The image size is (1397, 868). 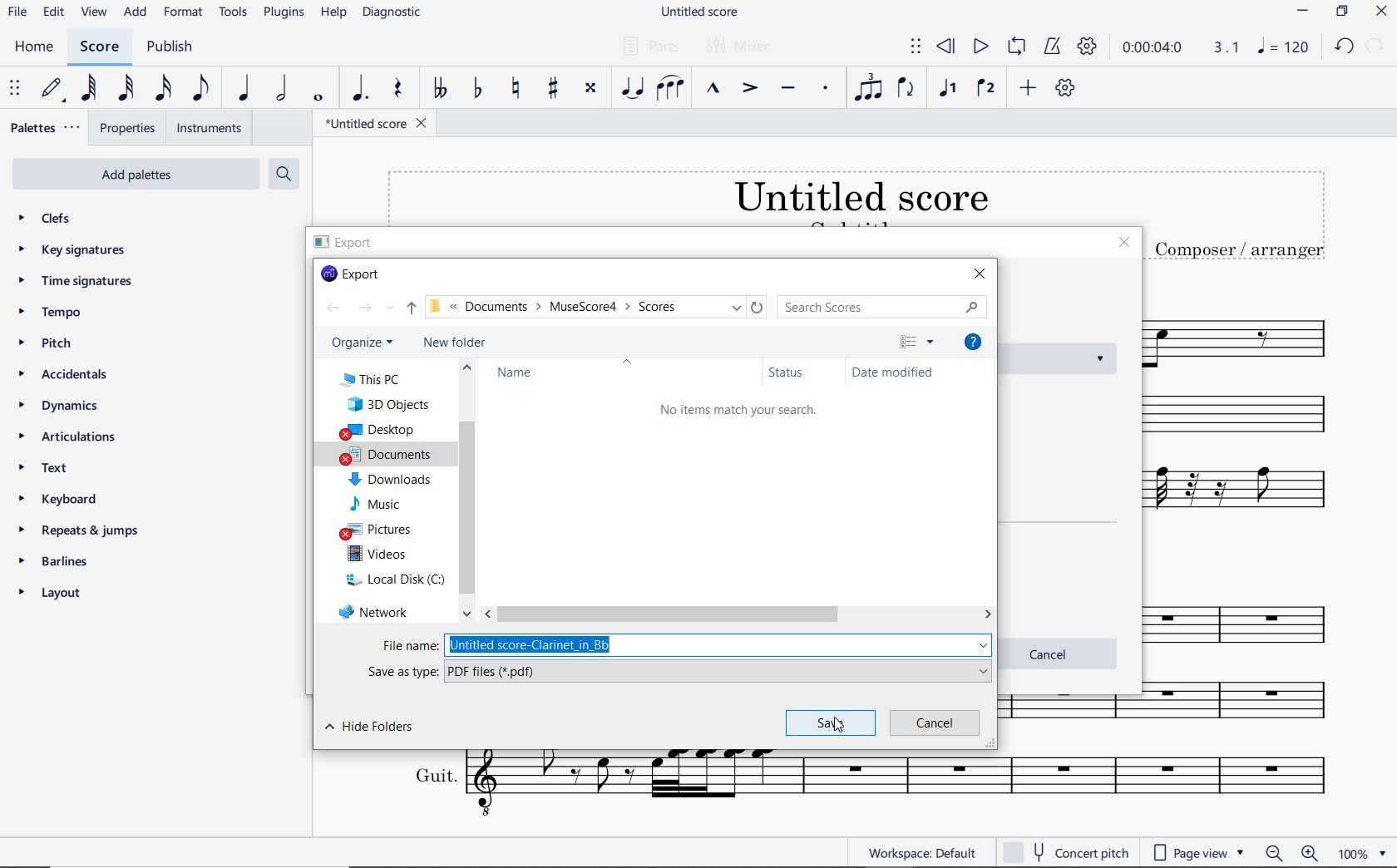 I want to click on PUBLISH, so click(x=175, y=47).